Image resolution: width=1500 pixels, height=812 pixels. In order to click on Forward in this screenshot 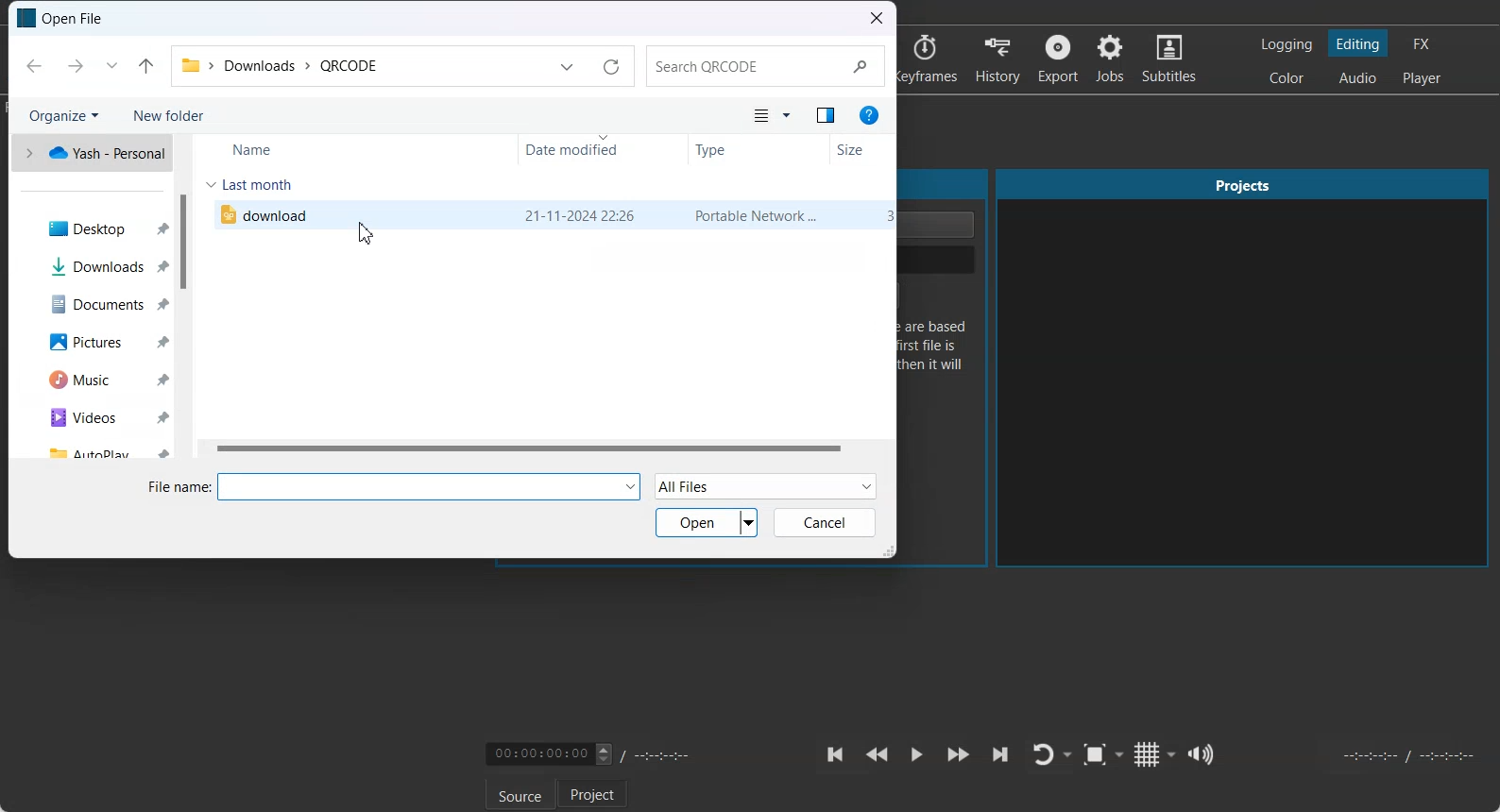, I will do `click(75, 66)`.